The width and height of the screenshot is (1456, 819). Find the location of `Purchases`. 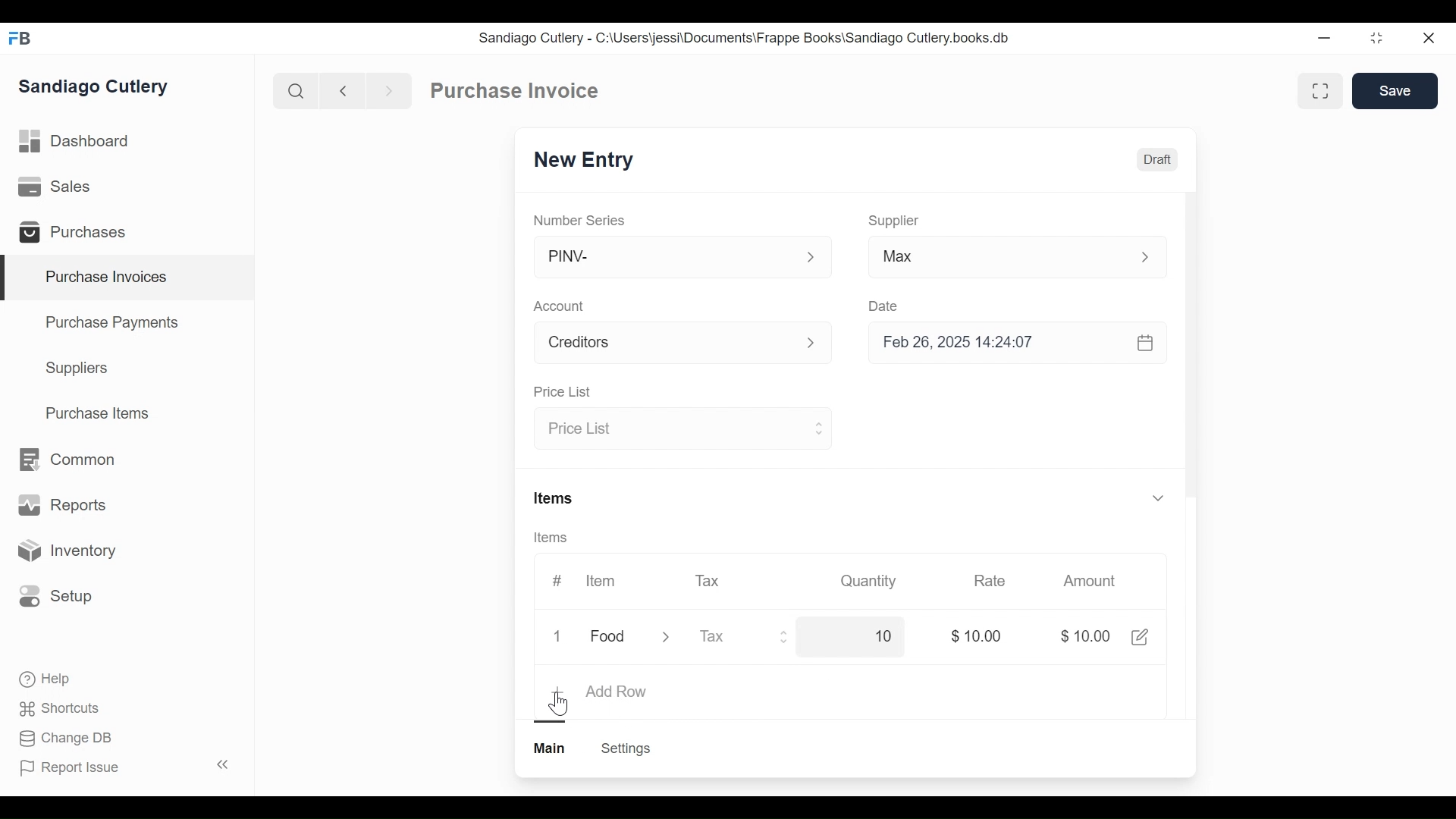

Purchases is located at coordinates (79, 234).